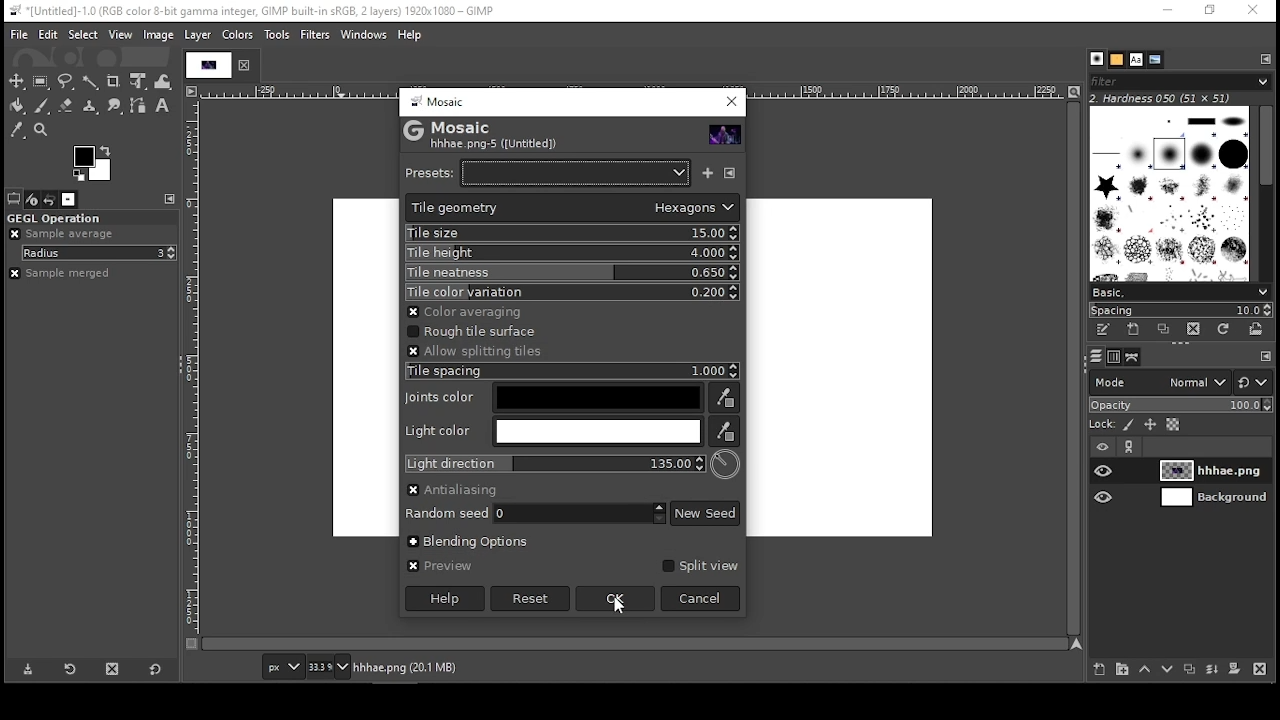 This screenshot has width=1280, height=720. I want to click on images, so click(69, 200).